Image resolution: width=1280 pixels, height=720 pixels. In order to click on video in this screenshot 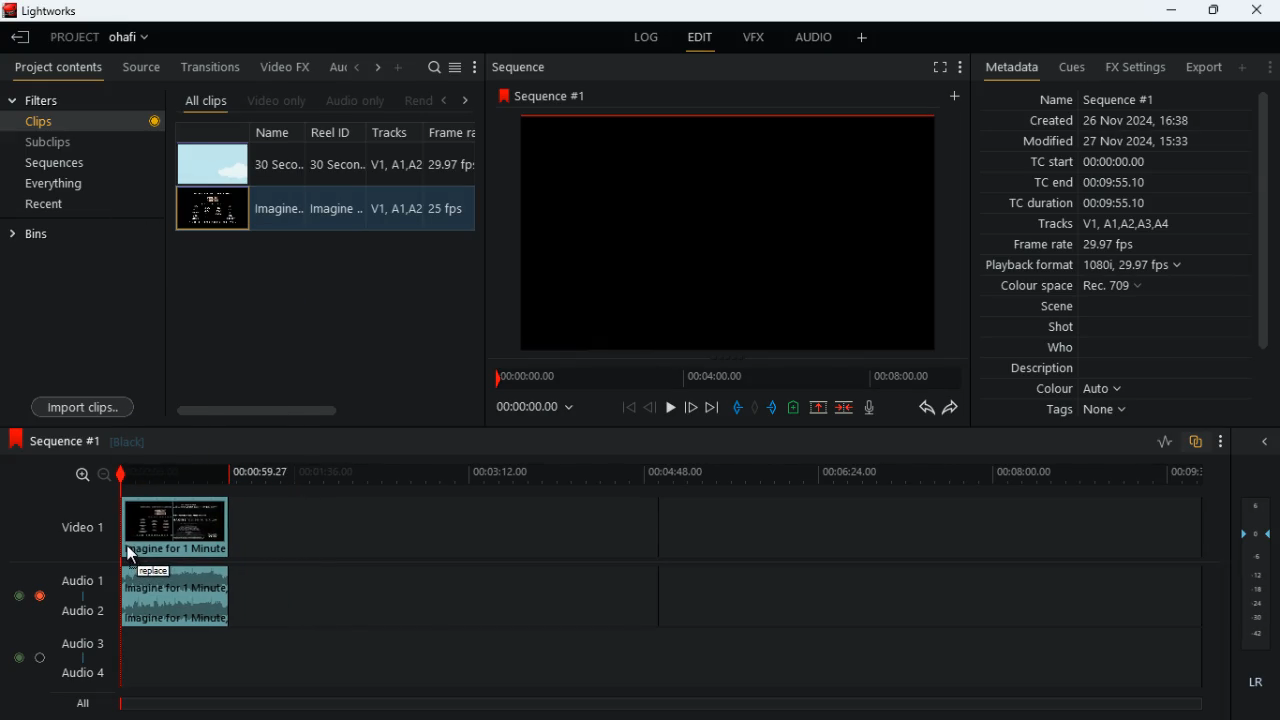, I will do `click(212, 208)`.